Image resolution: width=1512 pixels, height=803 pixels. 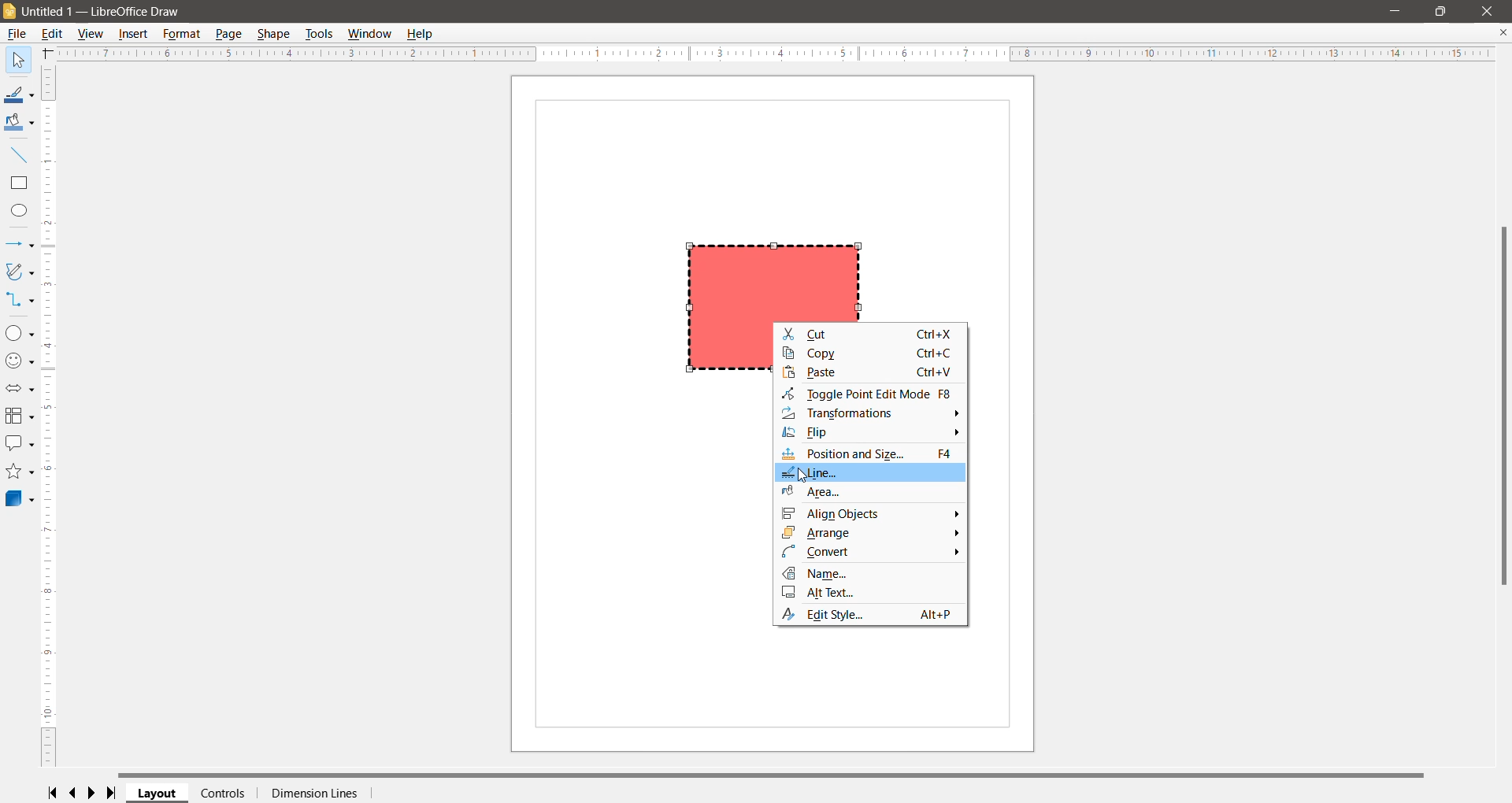 I want to click on Insert Line, so click(x=20, y=155).